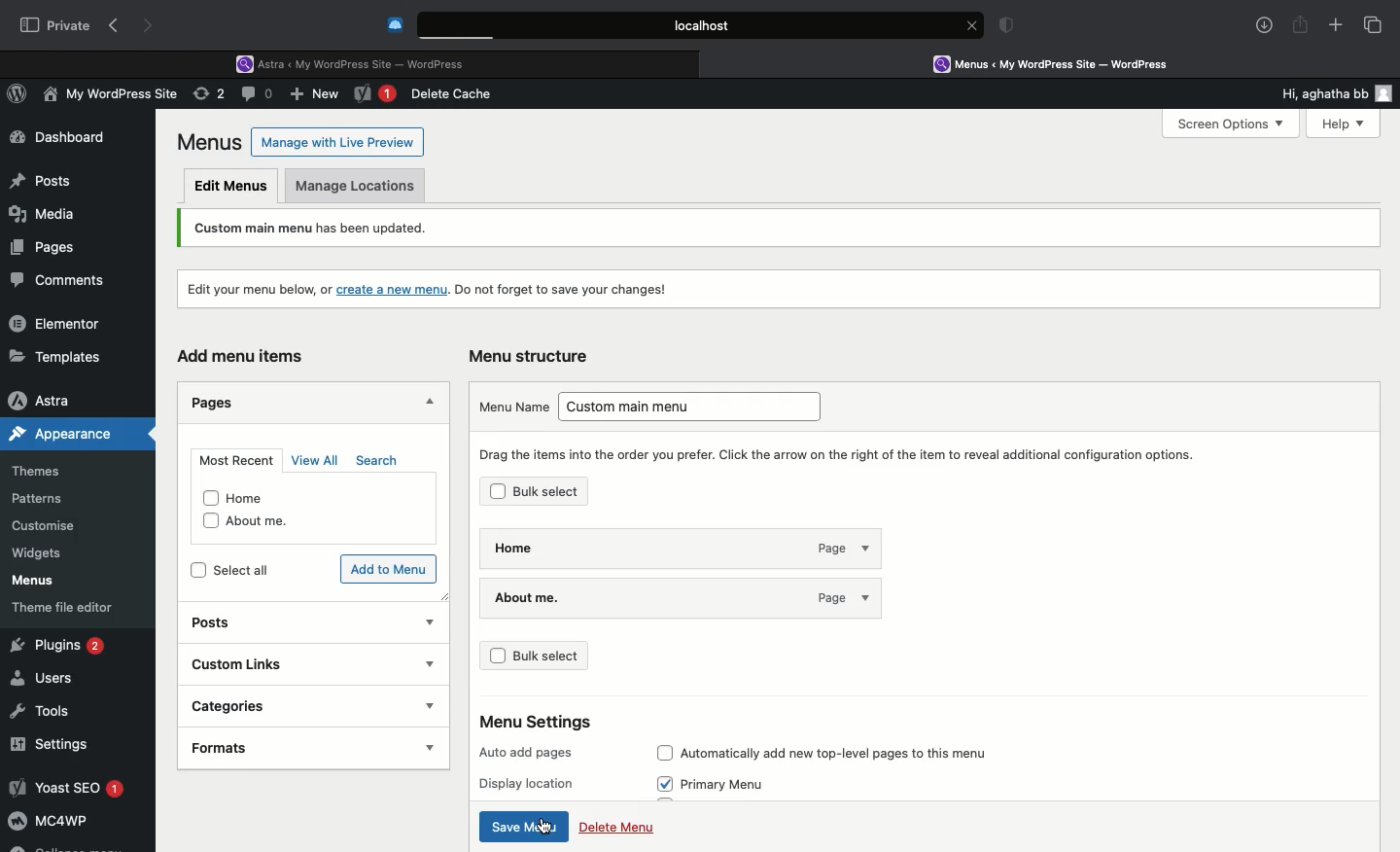 The image size is (1400, 852). I want to click on Bulk select, so click(565, 660).